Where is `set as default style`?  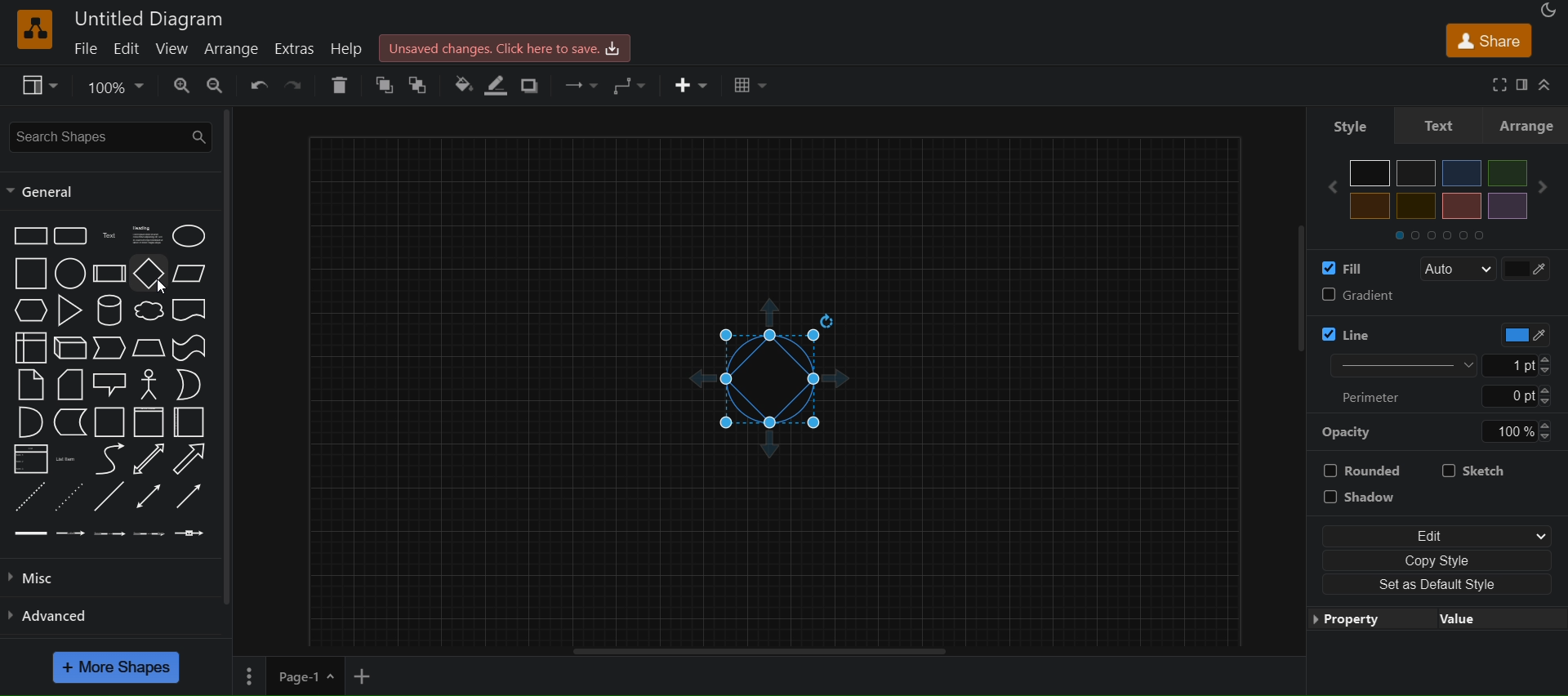 set as default style is located at coordinates (1435, 584).